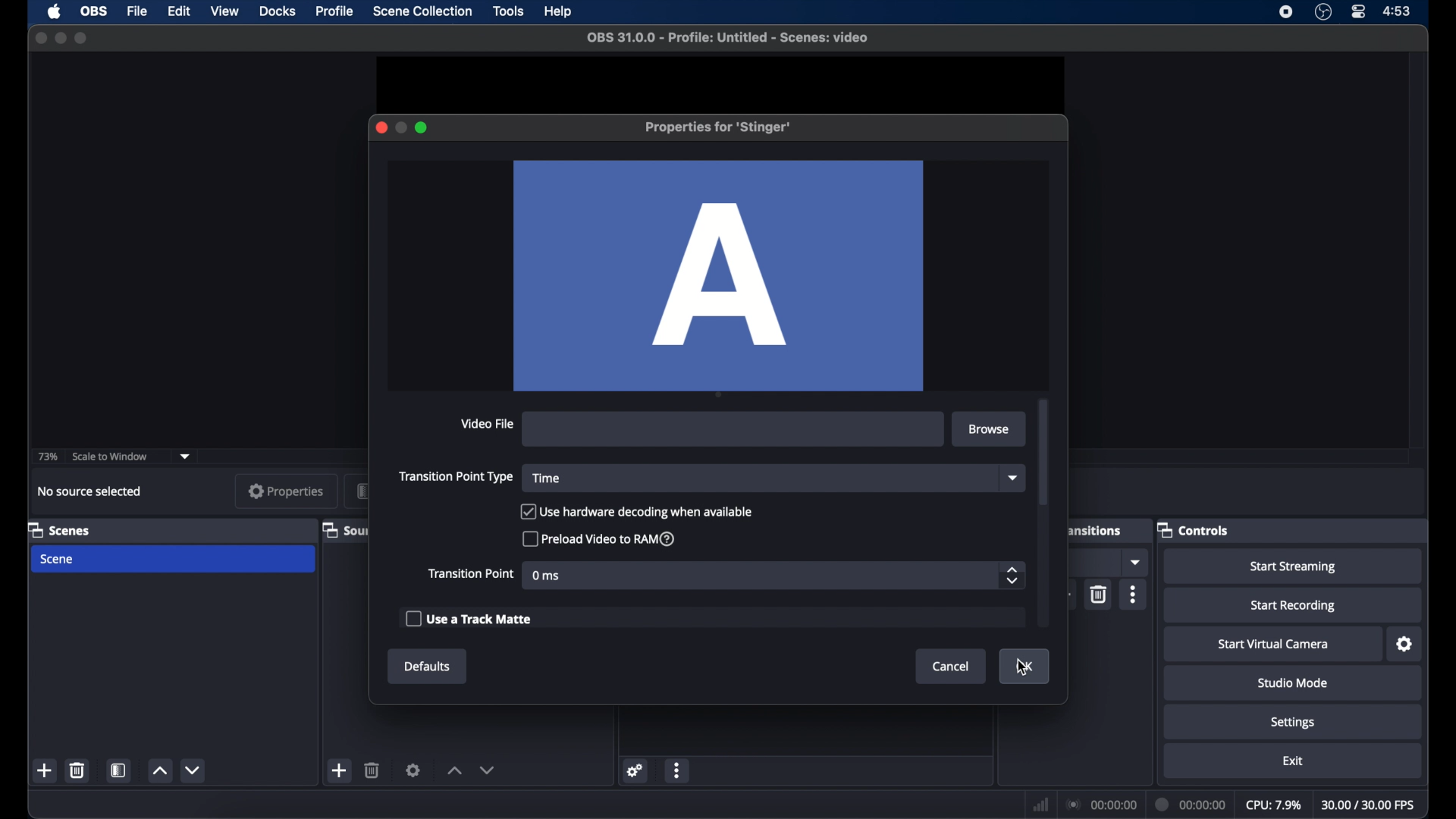 Image resolution: width=1456 pixels, height=819 pixels. What do you see at coordinates (400, 127) in the screenshot?
I see `minimize` at bounding box center [400, 127].